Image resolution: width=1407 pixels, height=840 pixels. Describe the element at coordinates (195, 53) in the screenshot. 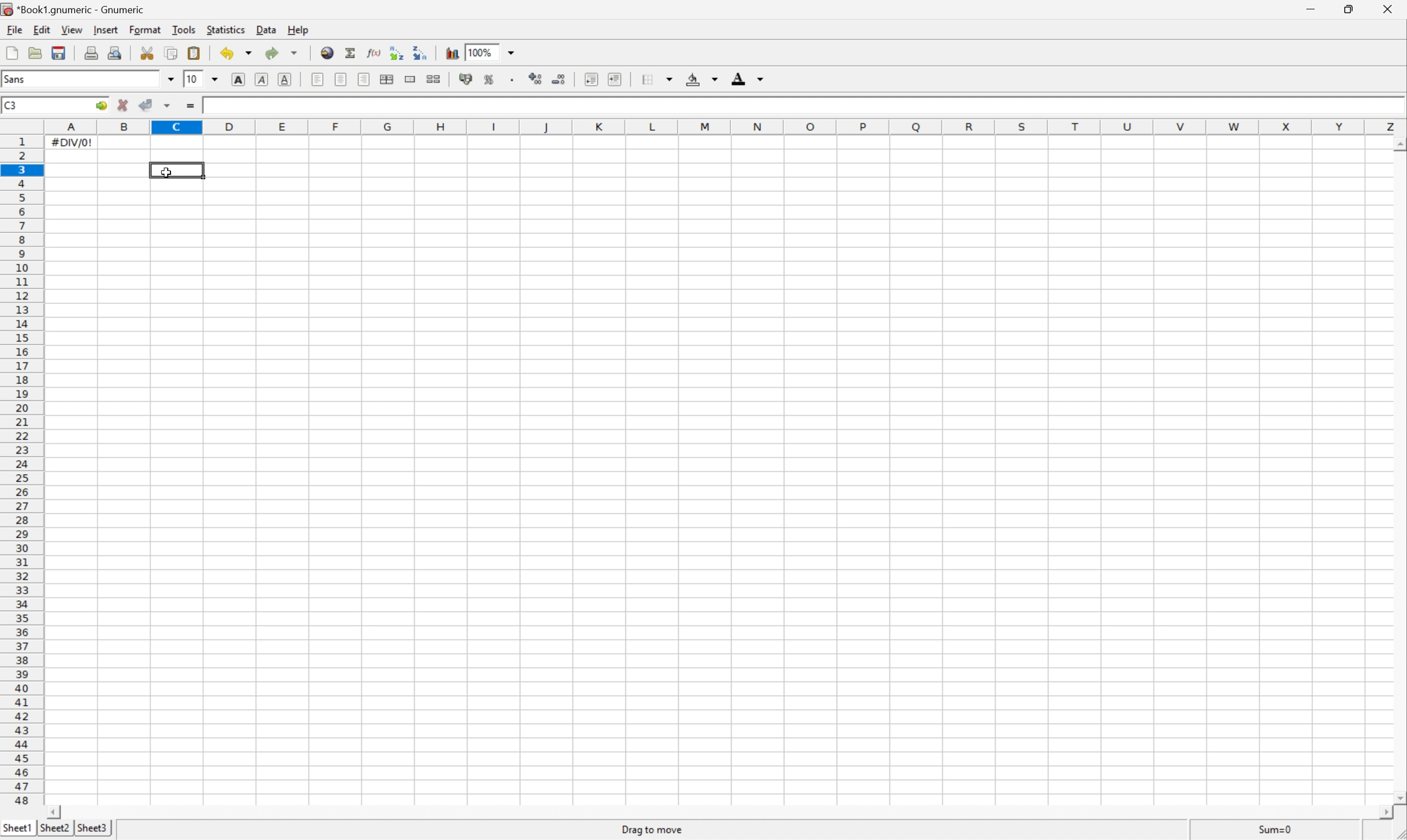

I see `Paste the clipboard` at that location.